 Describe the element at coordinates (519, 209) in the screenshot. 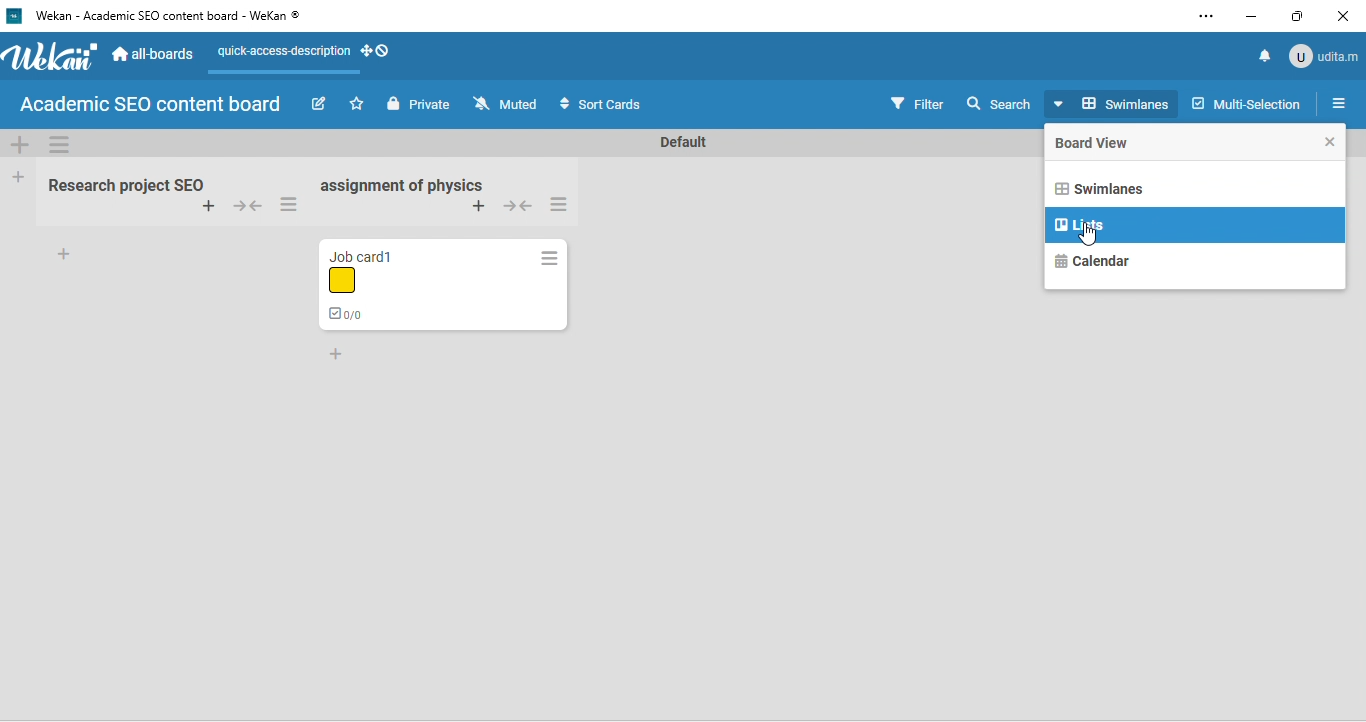

I see `collapse` at that location.